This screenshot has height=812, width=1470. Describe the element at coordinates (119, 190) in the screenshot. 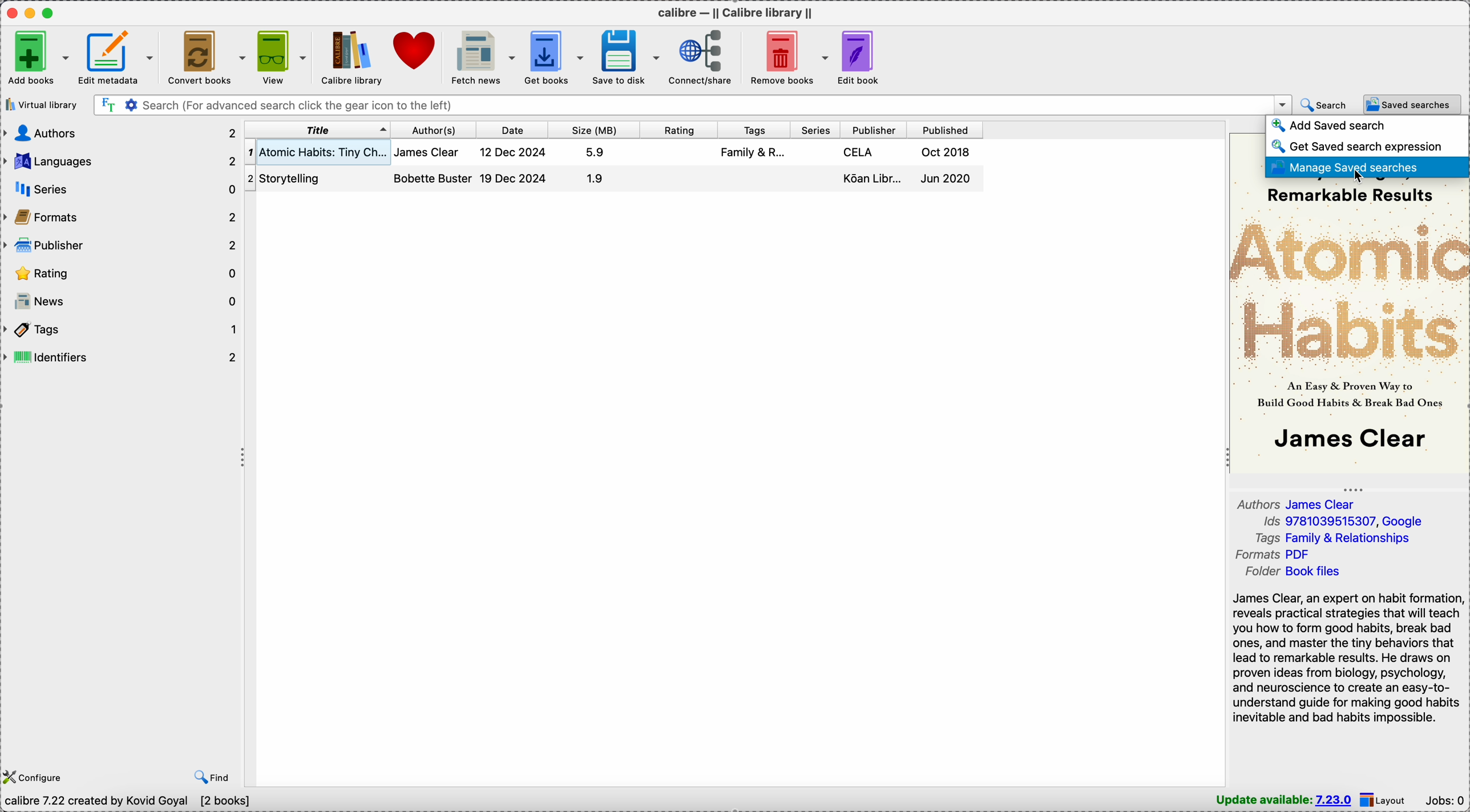

I see `series` at that location.